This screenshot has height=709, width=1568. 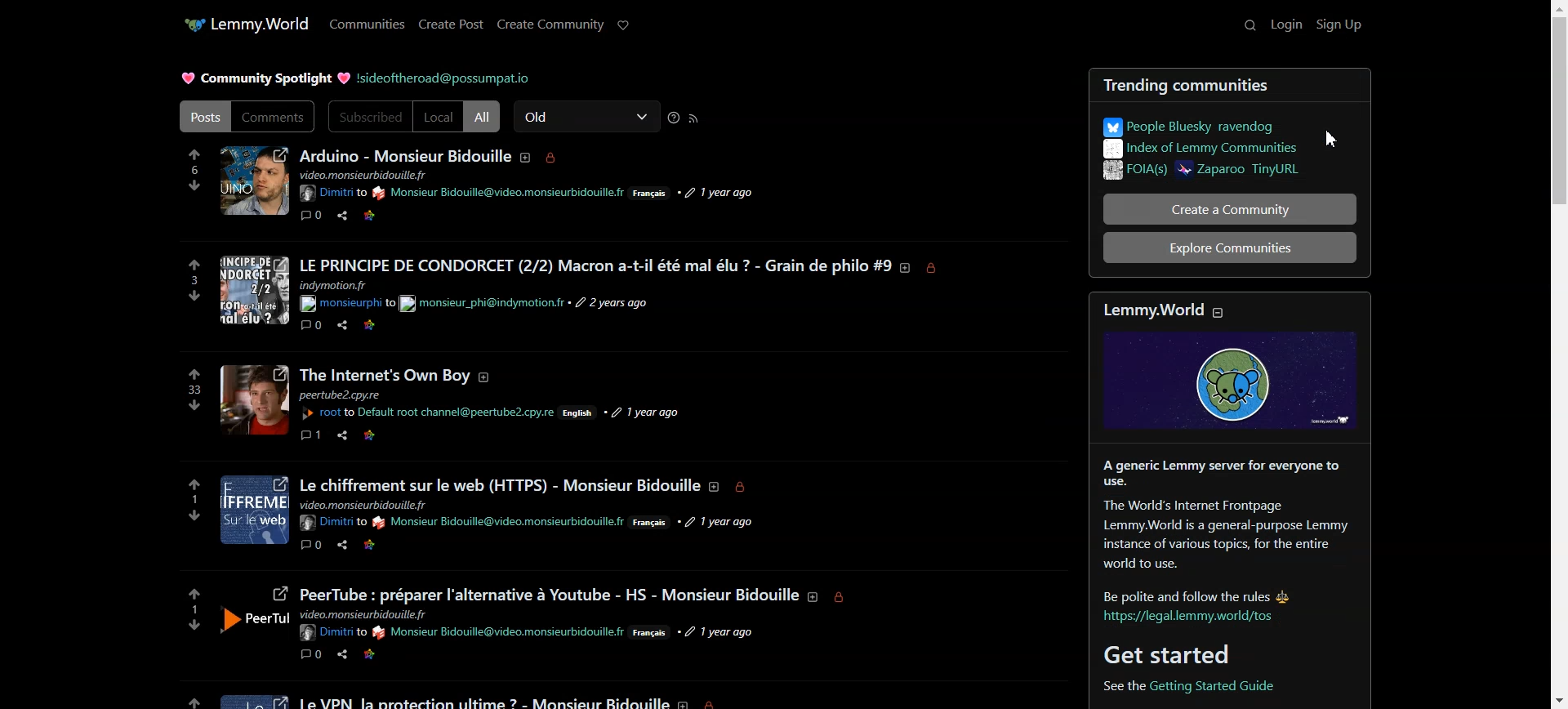 What do you see at coordinates (331, 522) in the screenshot?
I see `` at bounding box center [331, 522].